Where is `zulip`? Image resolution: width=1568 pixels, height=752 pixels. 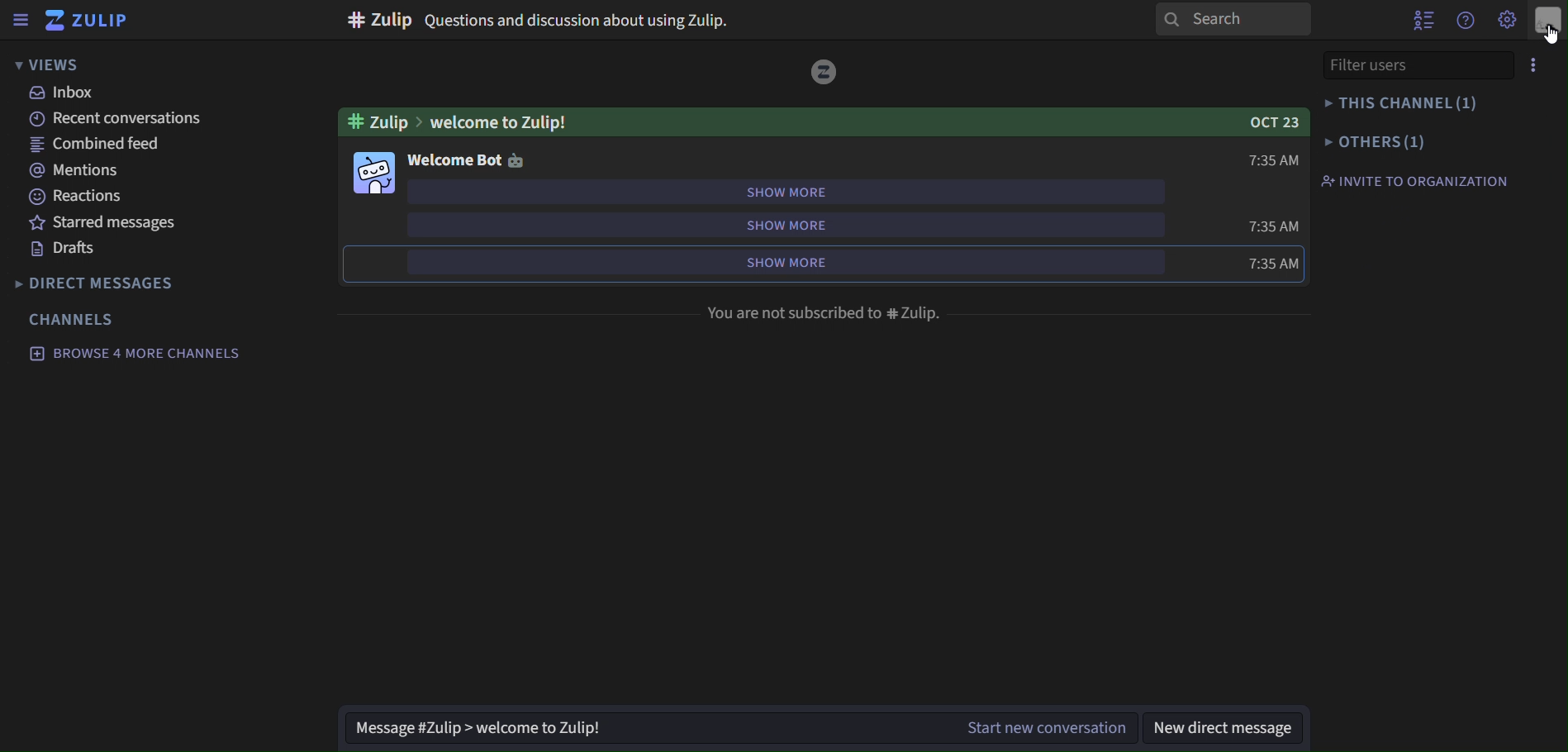
zulip is located at coordinates (89, 18).